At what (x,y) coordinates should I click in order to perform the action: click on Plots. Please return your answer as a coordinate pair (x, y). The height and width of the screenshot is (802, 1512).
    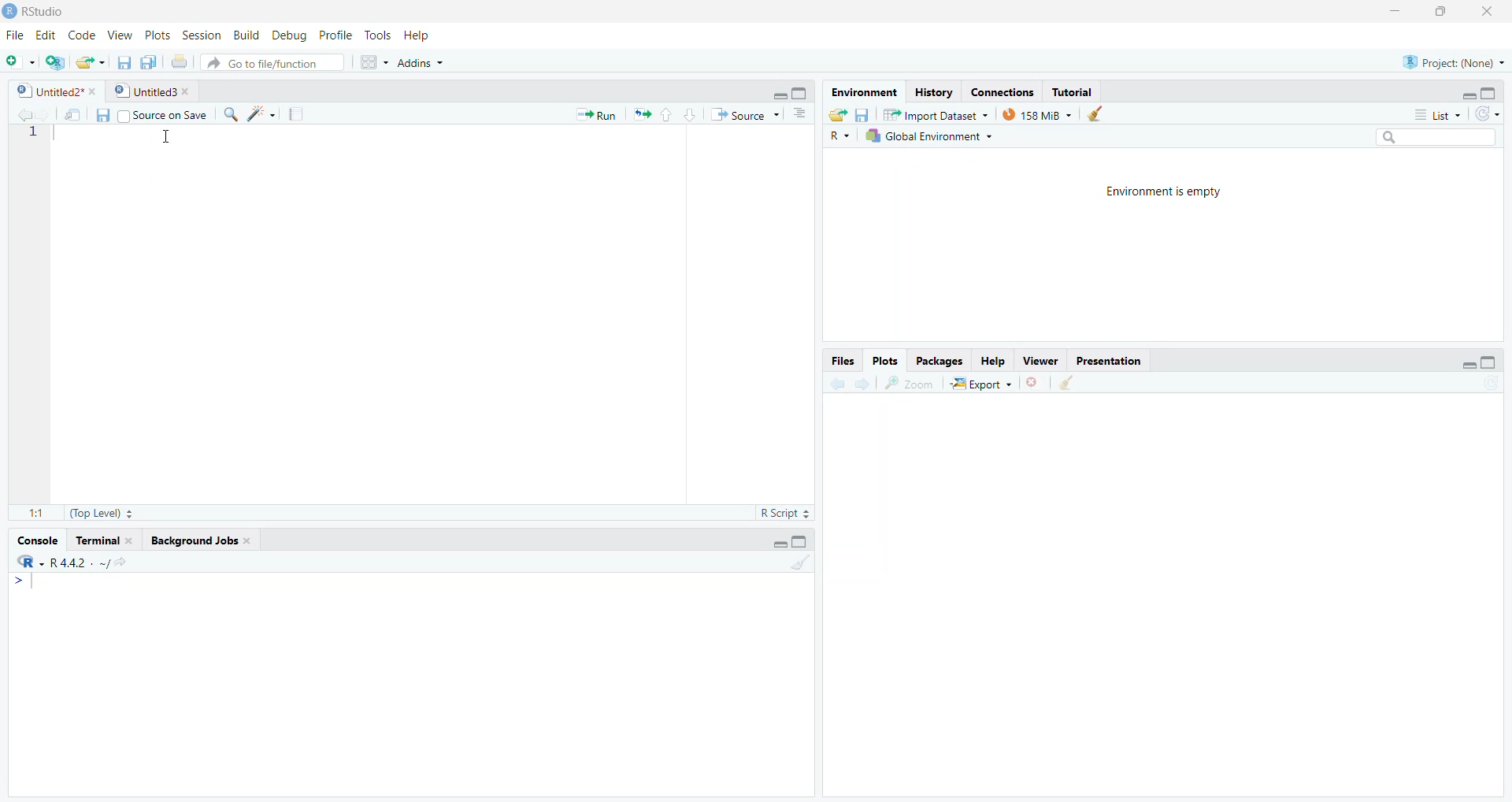
    Looking at the image, I should click on (888, 360).